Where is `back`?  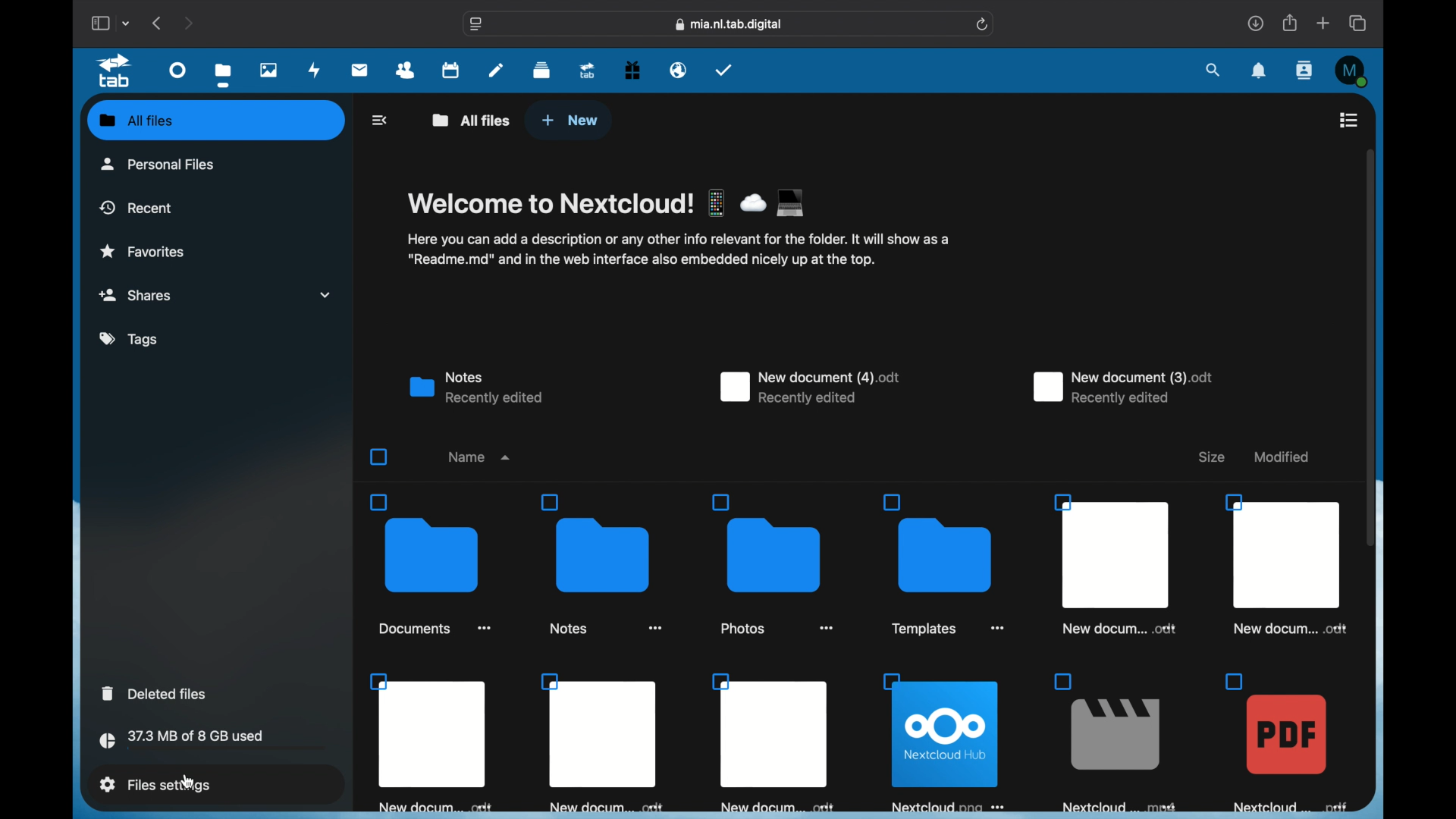
back is located at coordinates (379, 121).